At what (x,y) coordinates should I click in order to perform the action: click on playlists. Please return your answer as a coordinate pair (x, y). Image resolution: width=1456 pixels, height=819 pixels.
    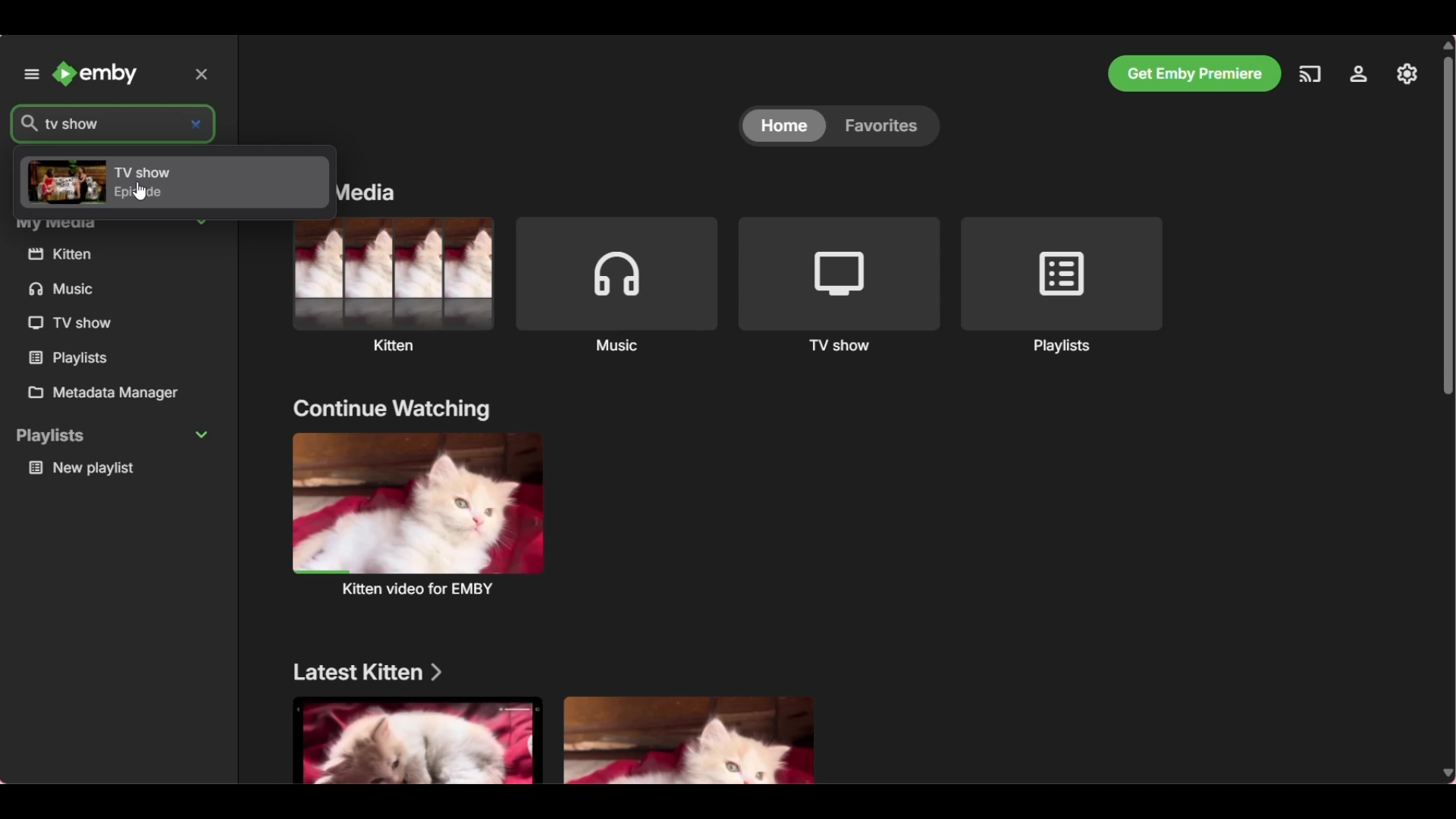
    Looking at the image, I should click on (80, 357).